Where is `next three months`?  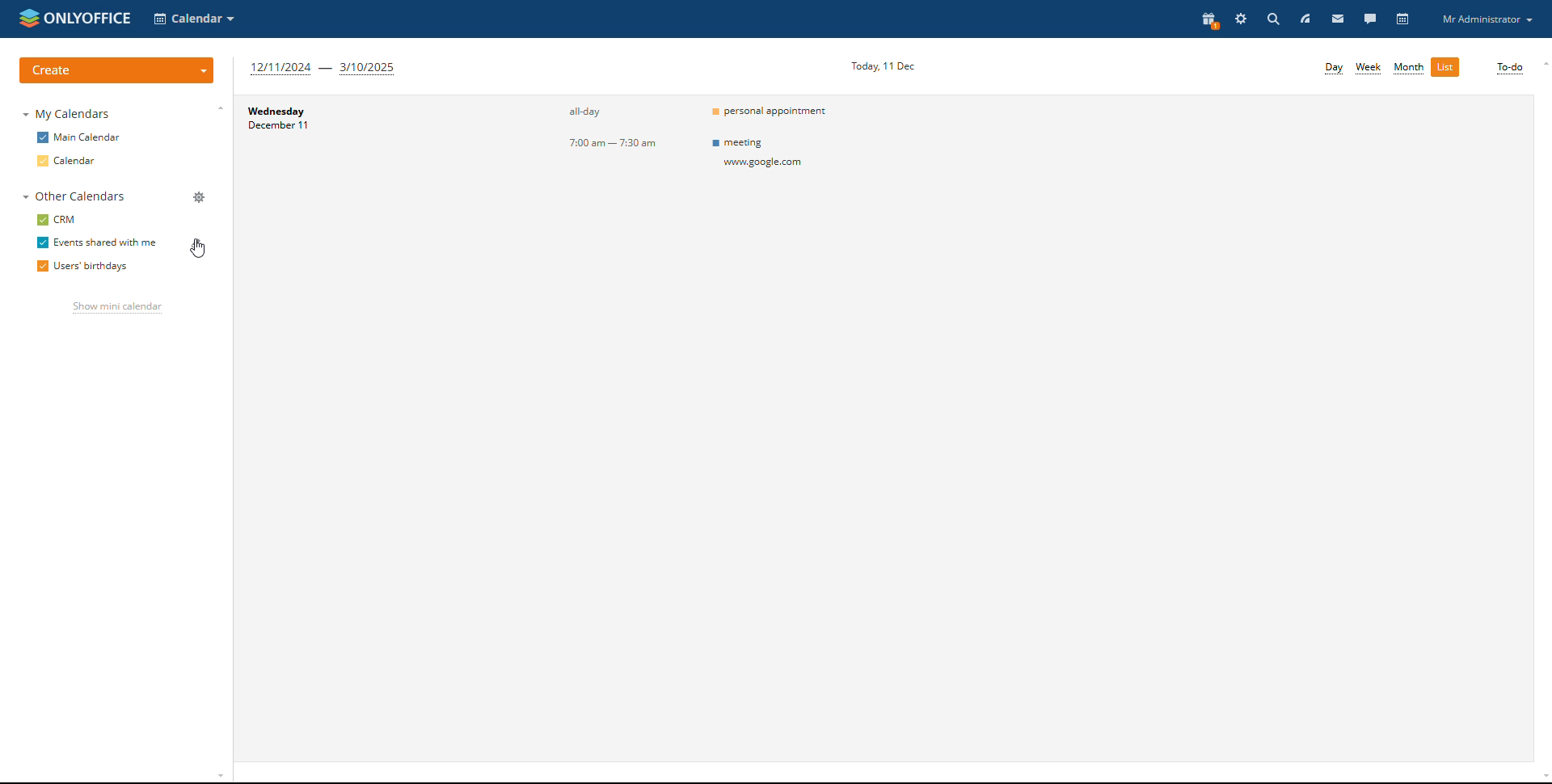 next three months is located at coordinates (325, 70).